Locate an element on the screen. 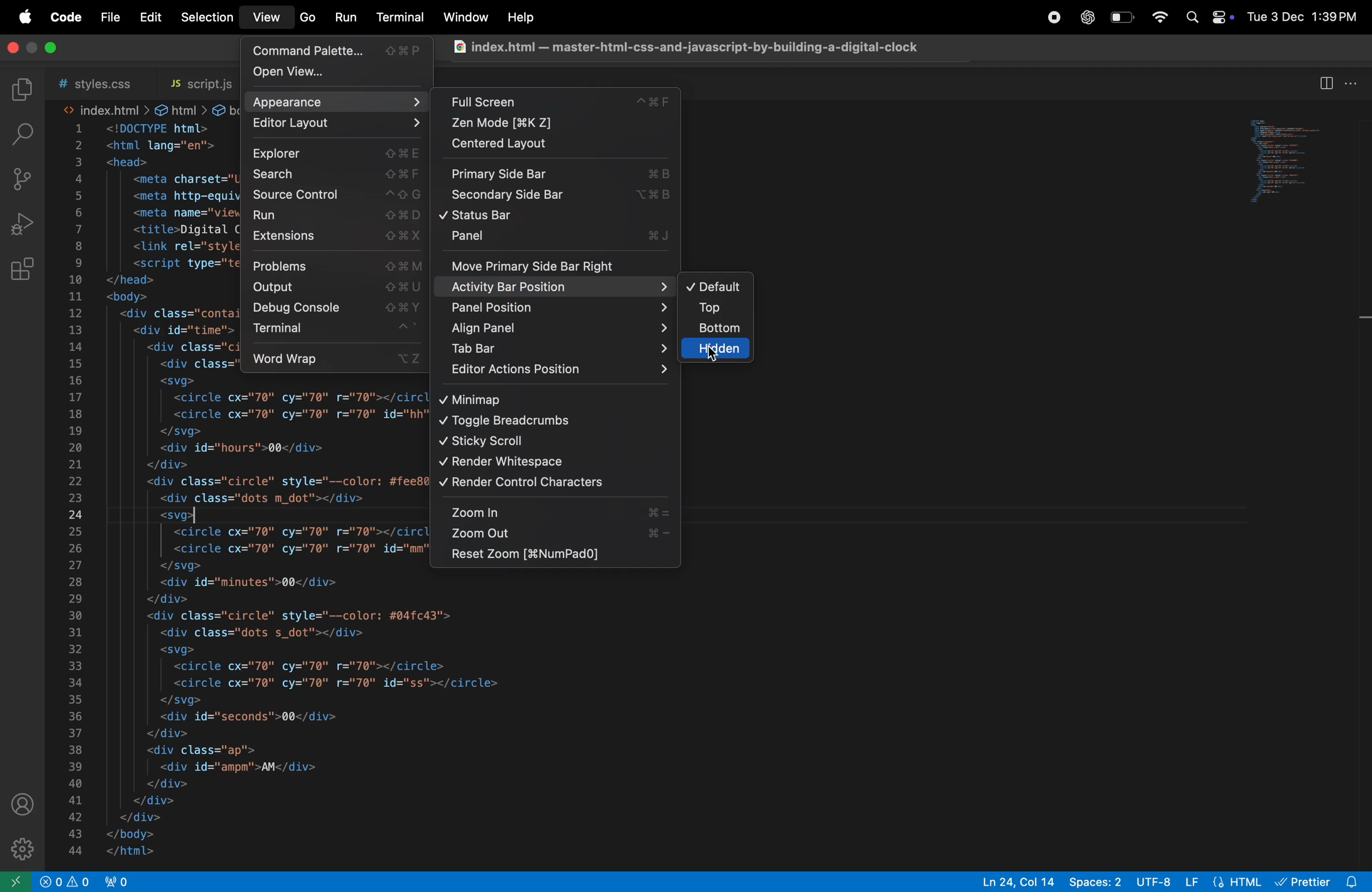 This screenshot has width=1372, height=892. editpr action position is located at coordinates (560, 372).